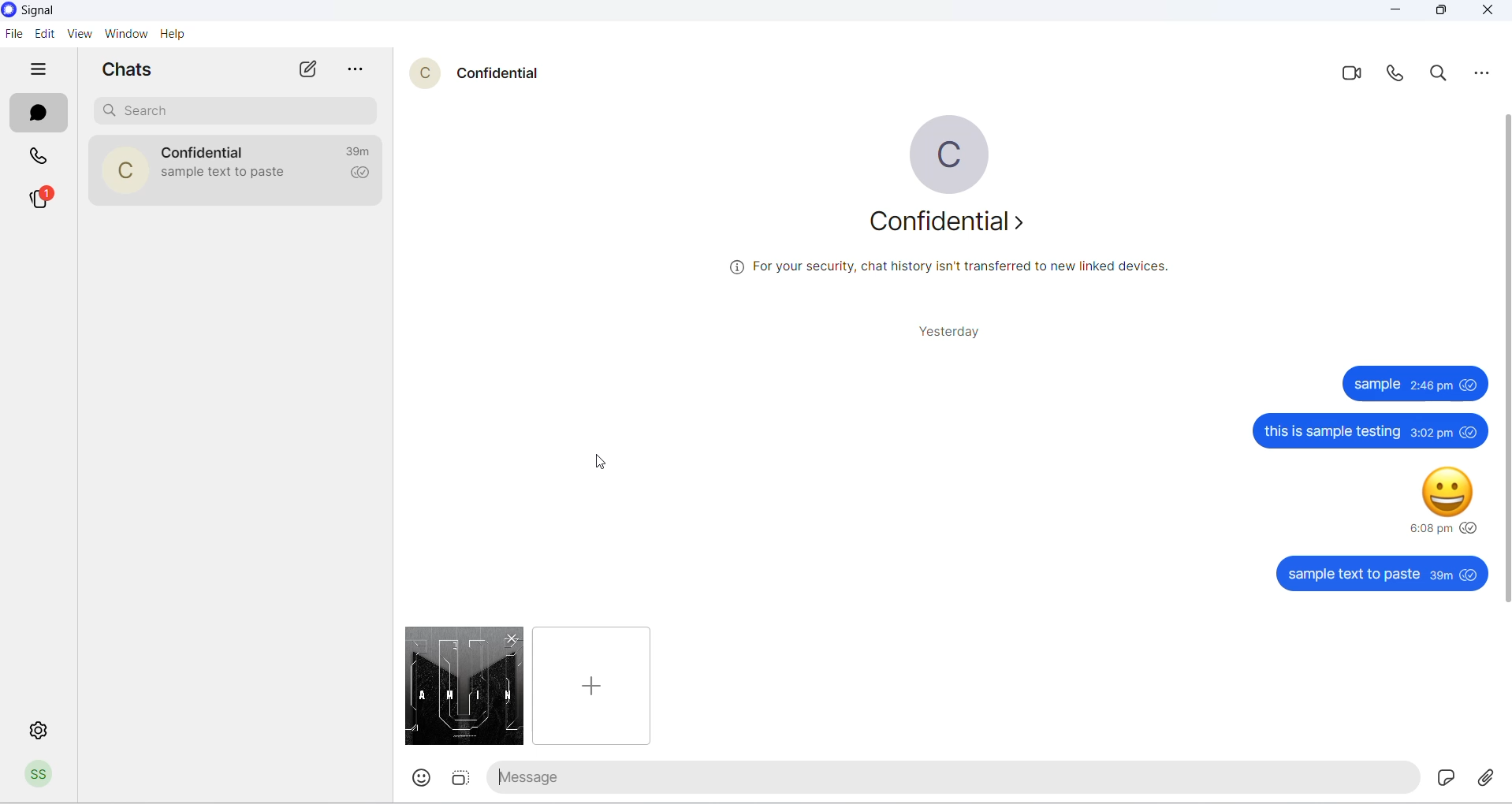  What do you see at coordinates (505, 71) in the screenshot?
I see `contact name` at bounding box center [505, 71].